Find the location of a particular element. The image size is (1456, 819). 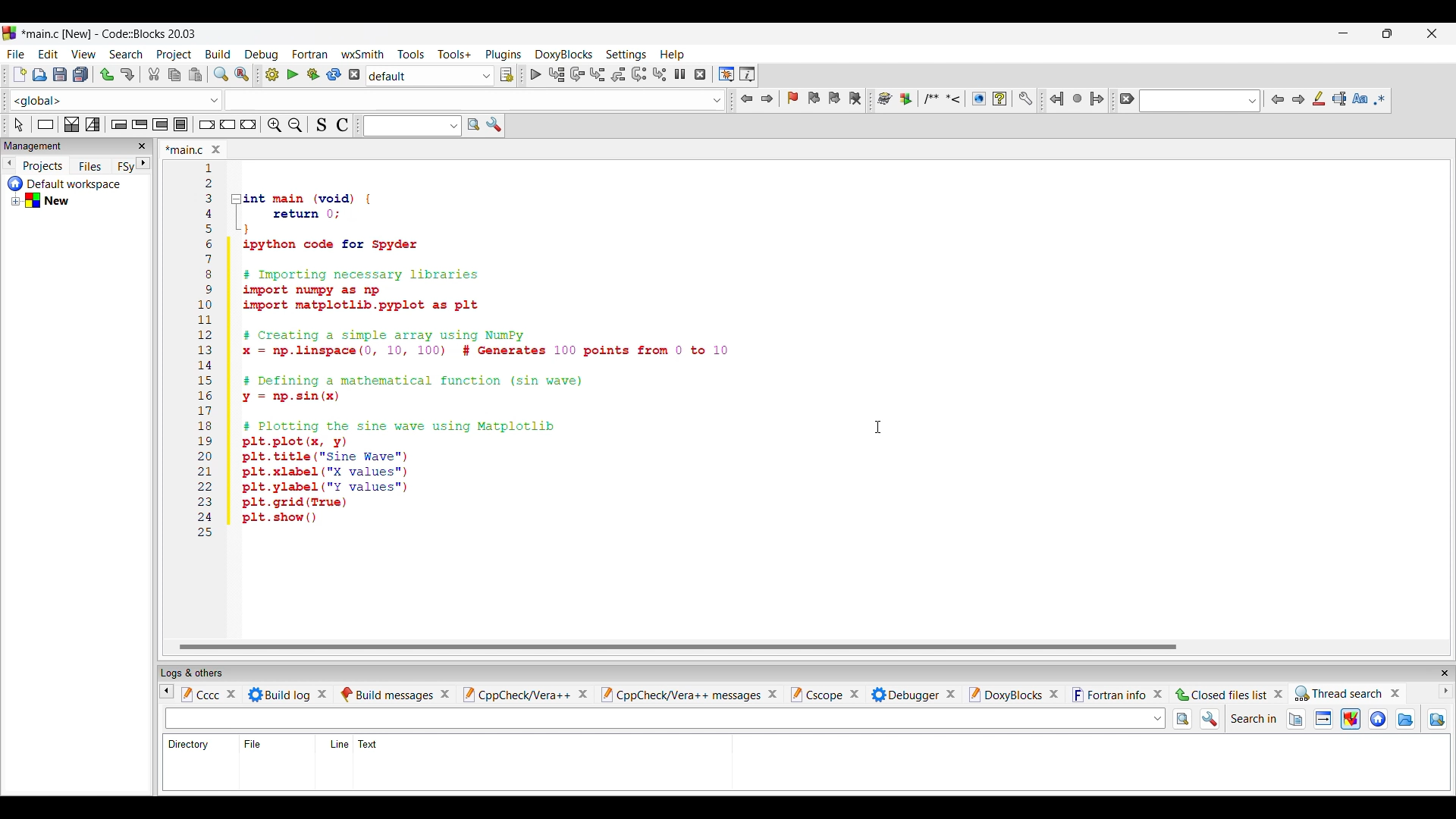

Replace is located at coordinates (532, 73).